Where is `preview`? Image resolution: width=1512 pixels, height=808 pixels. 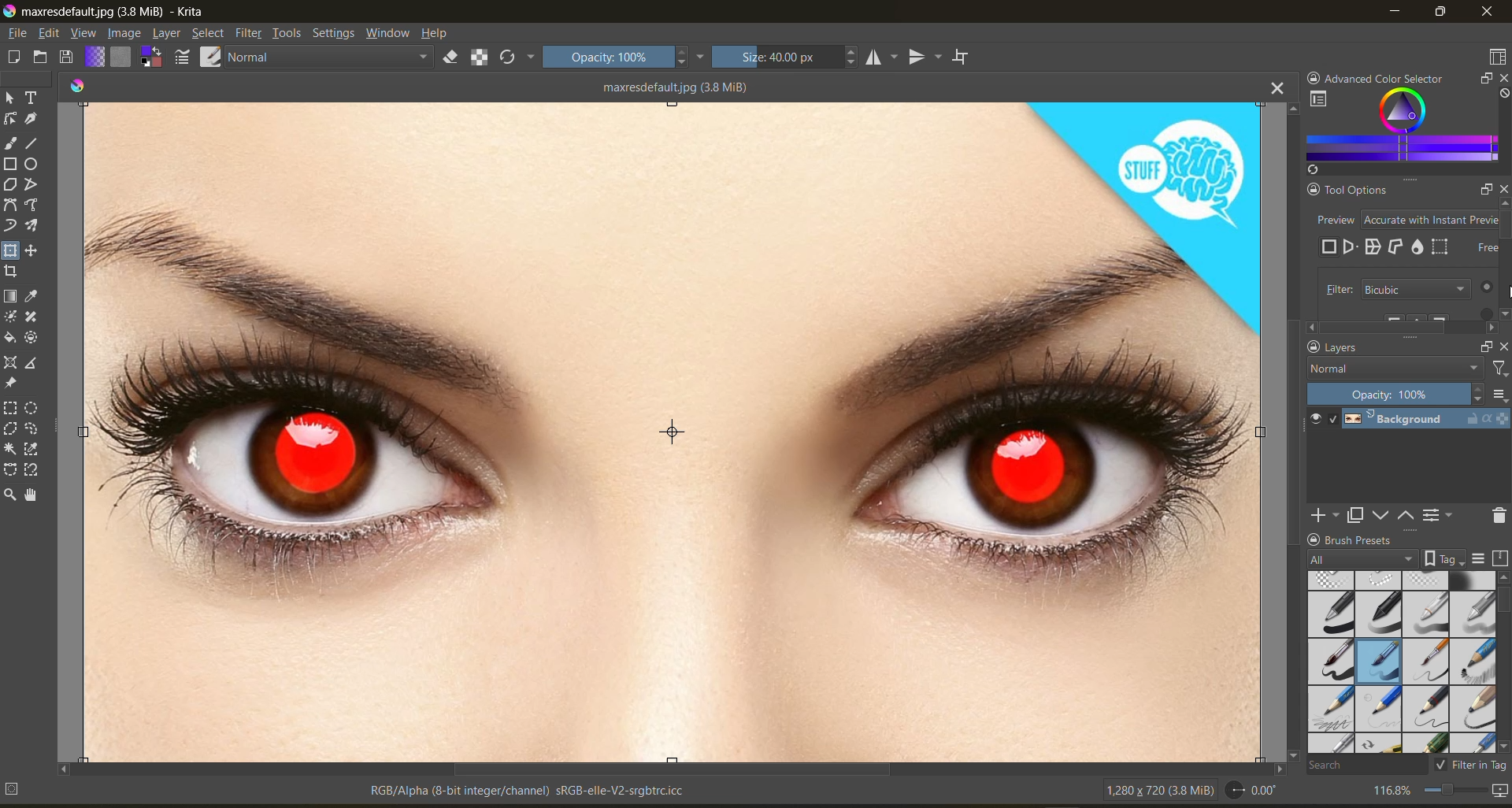 preview is located at coordinates (1402, 220).